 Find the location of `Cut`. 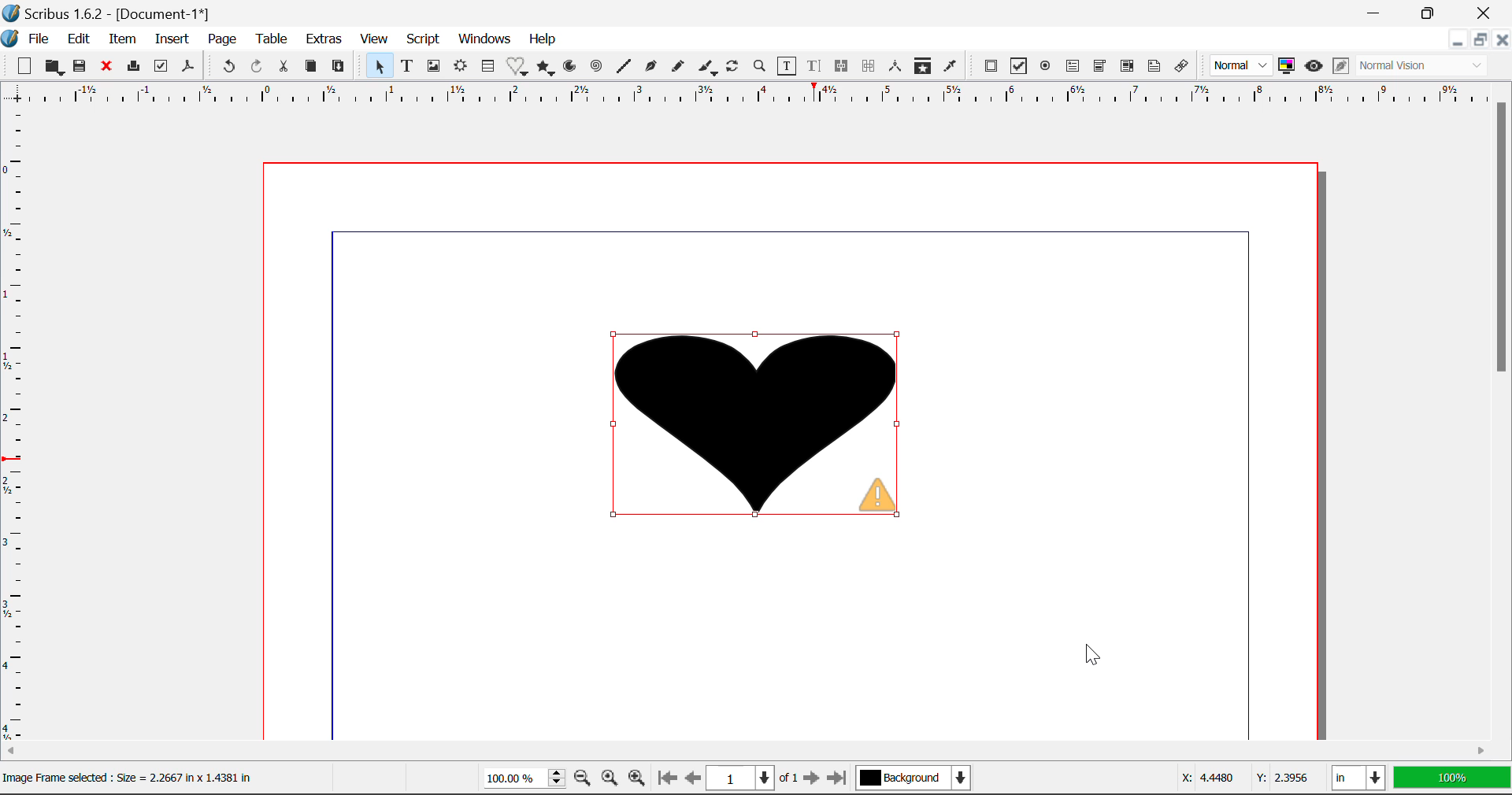

Cut is located at coordinates (287, 65).